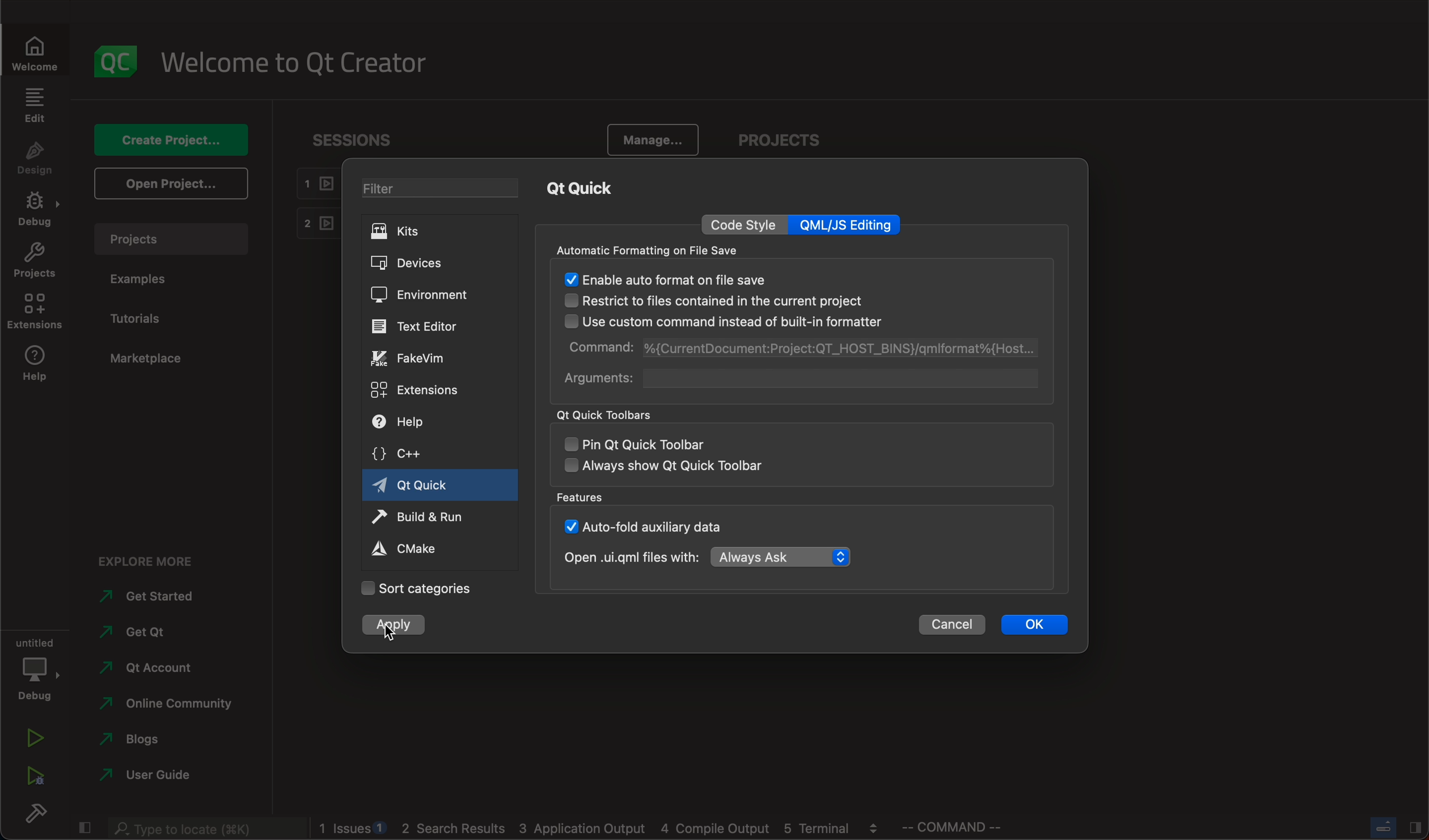 Image resolution: width=1429 pixels, height=840 pixels. Describe the element at coordinates (444, 189) in the screenshot. I see `filter` at that location.